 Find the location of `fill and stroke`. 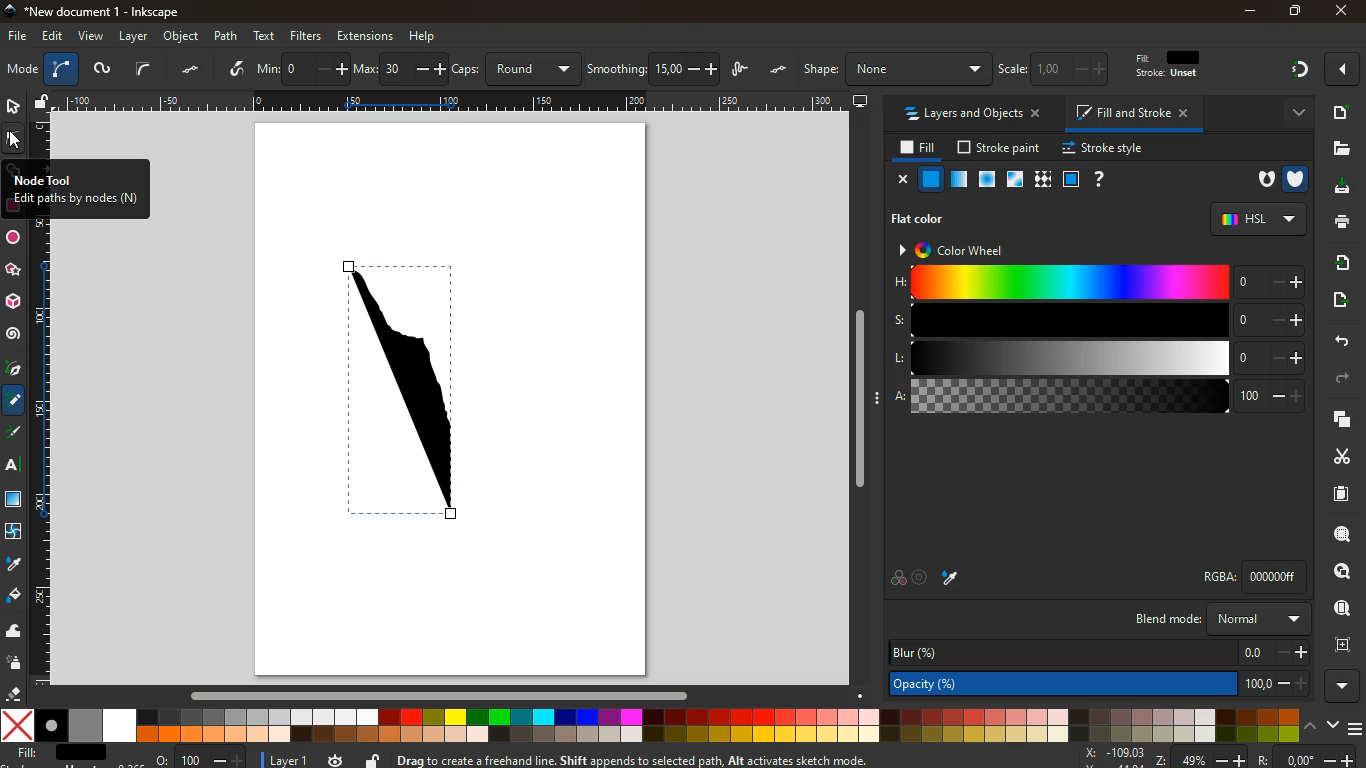

fill and stroke is located at coordinates (1133, 112).